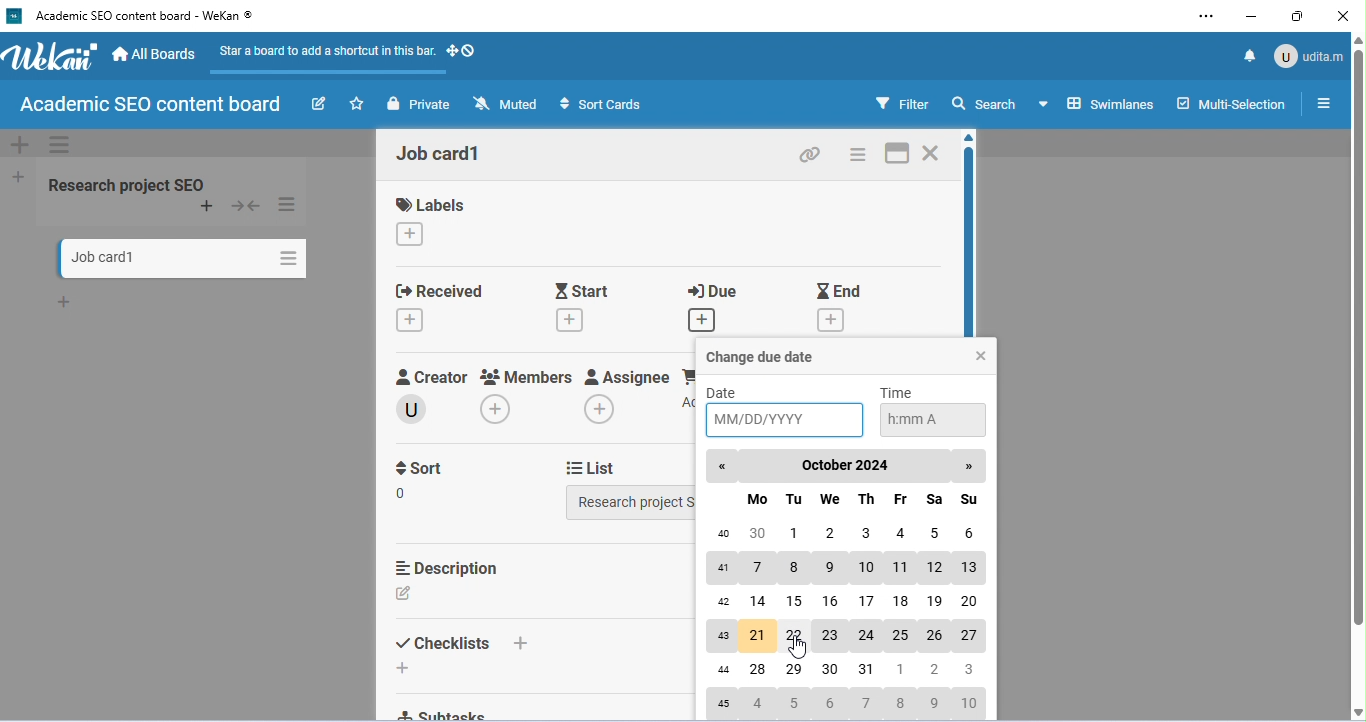  I want to click on previous month, so click(722, 467).